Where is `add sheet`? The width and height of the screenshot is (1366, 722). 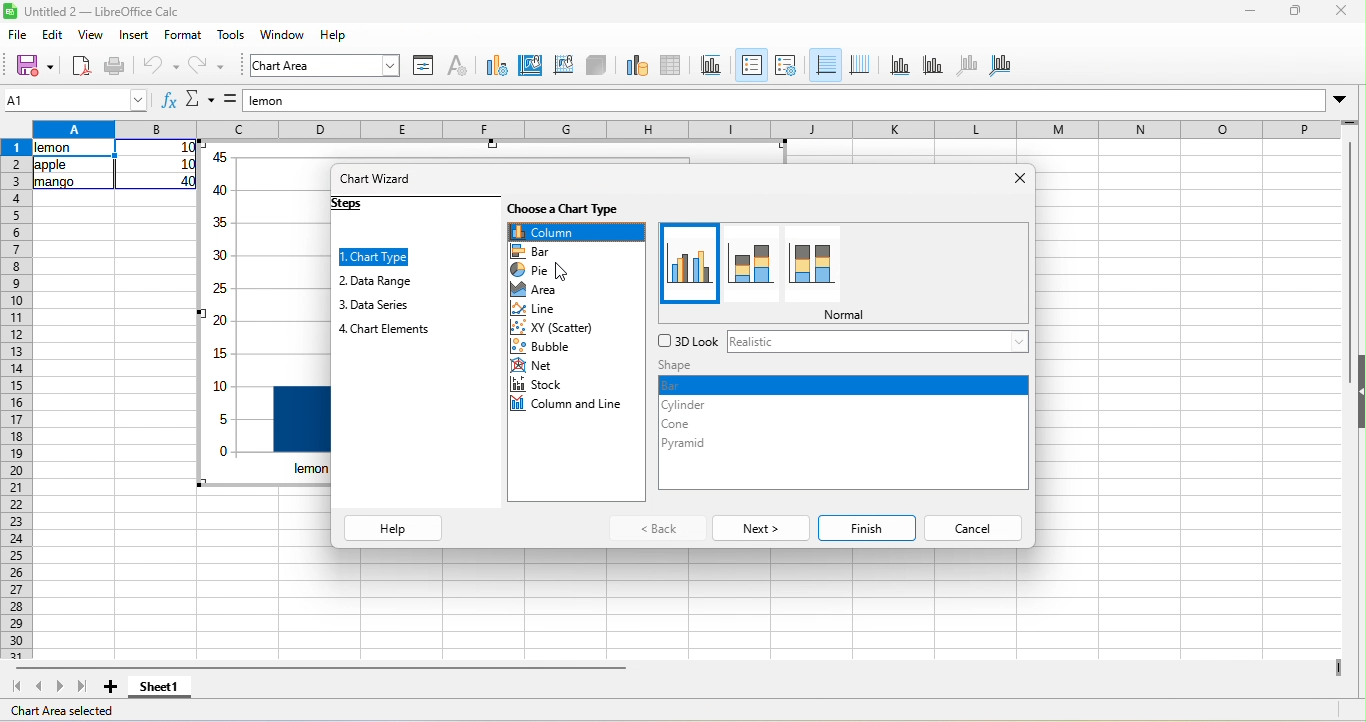
add sheet is located at coordinates (110, 687).